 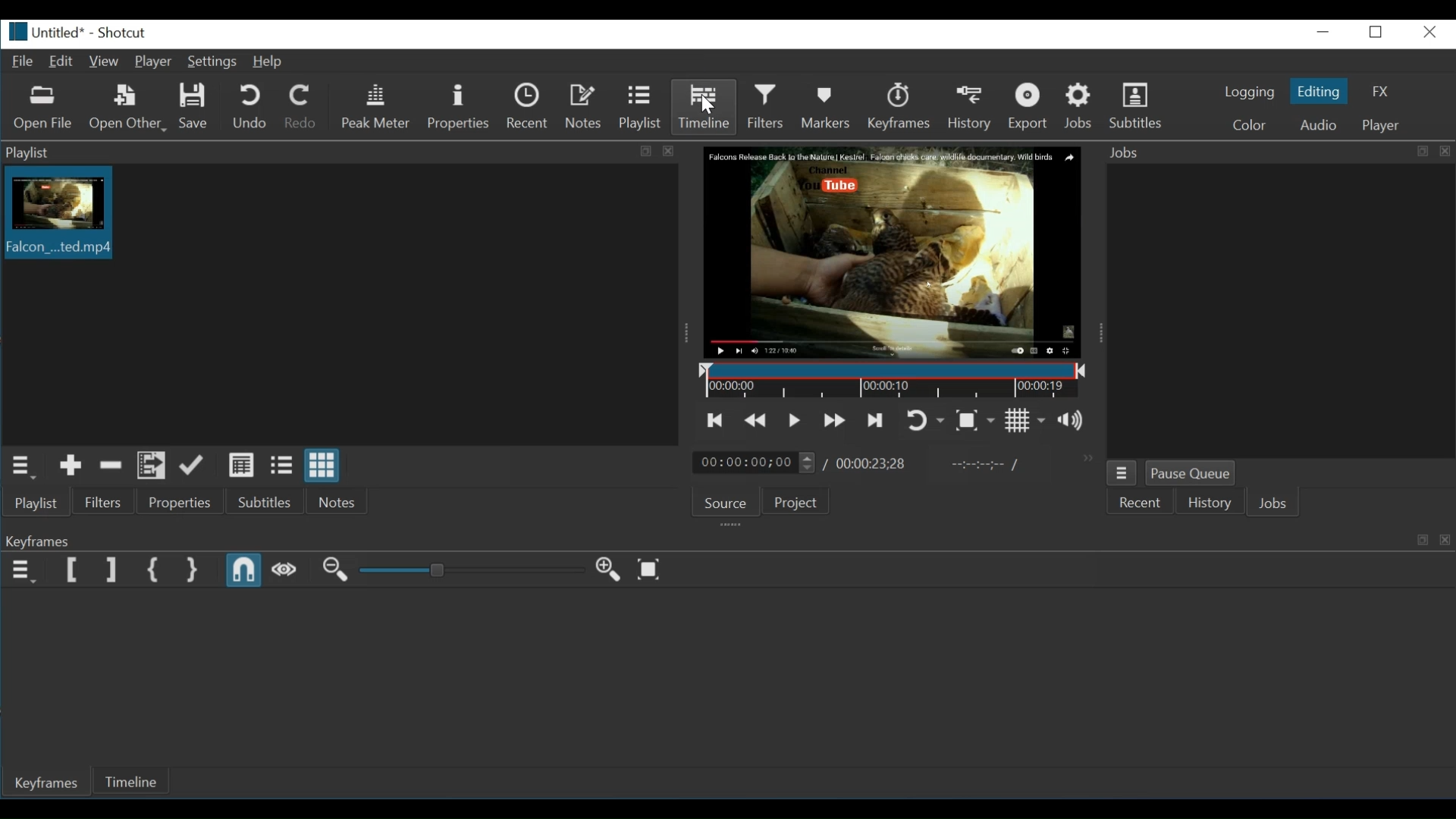 I want to click on Add files to the playlist, so click(x=149, y=466).